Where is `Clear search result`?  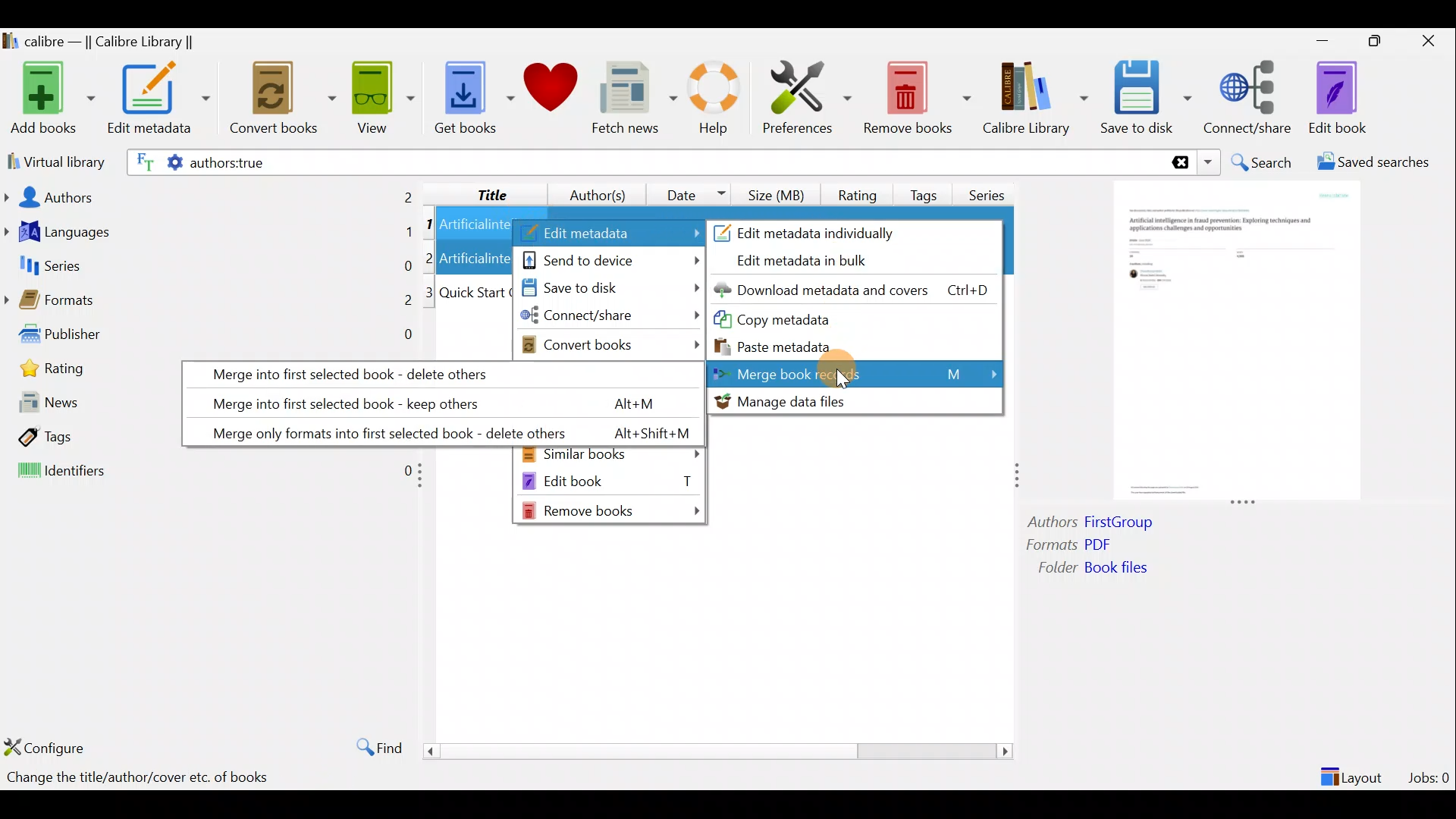 Clear search result is located at coordinates (1178, 163).